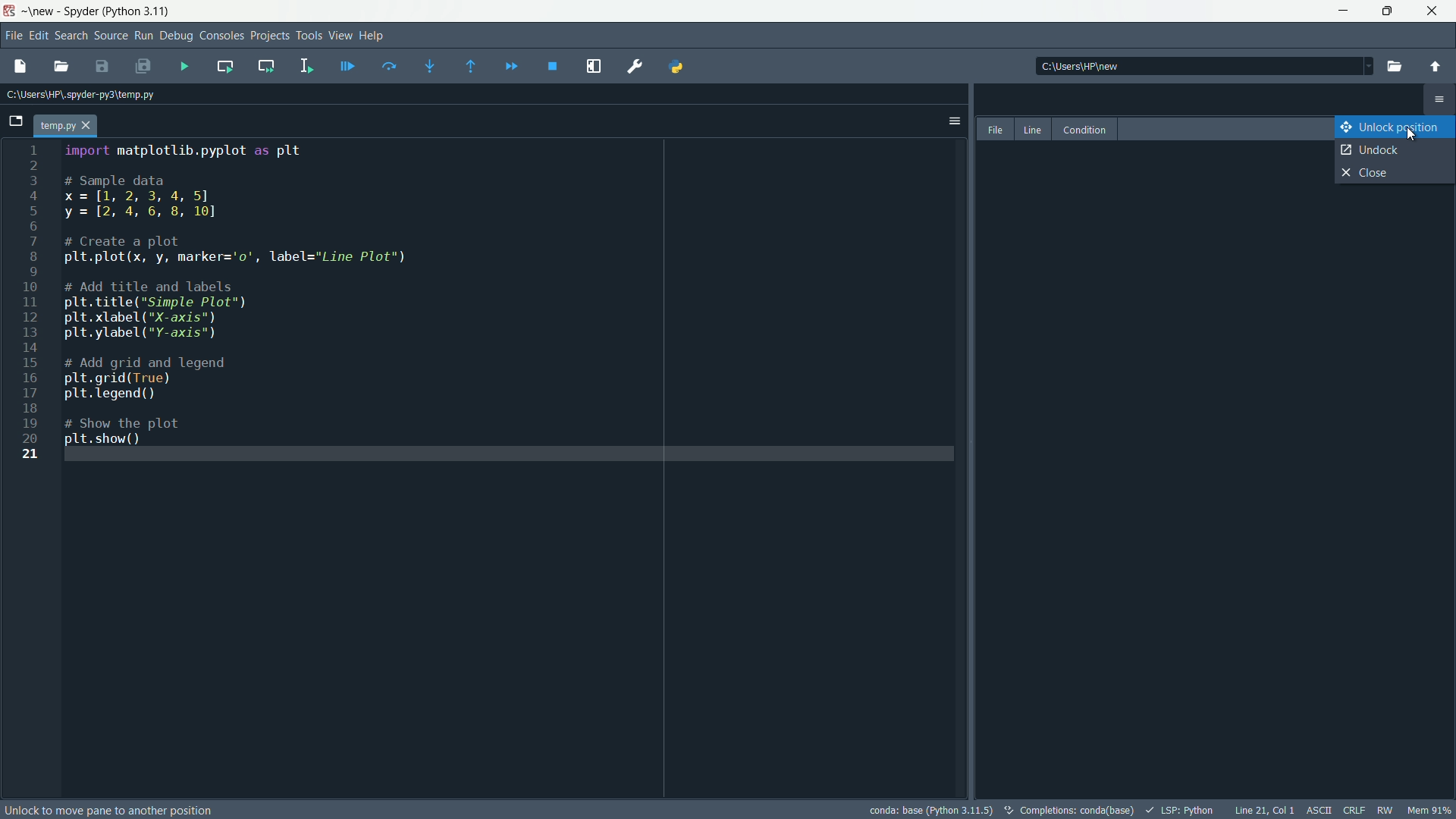 The width and height of the screenshot is (1456, 819). I want to click on stop debugging , so click(554, 67).